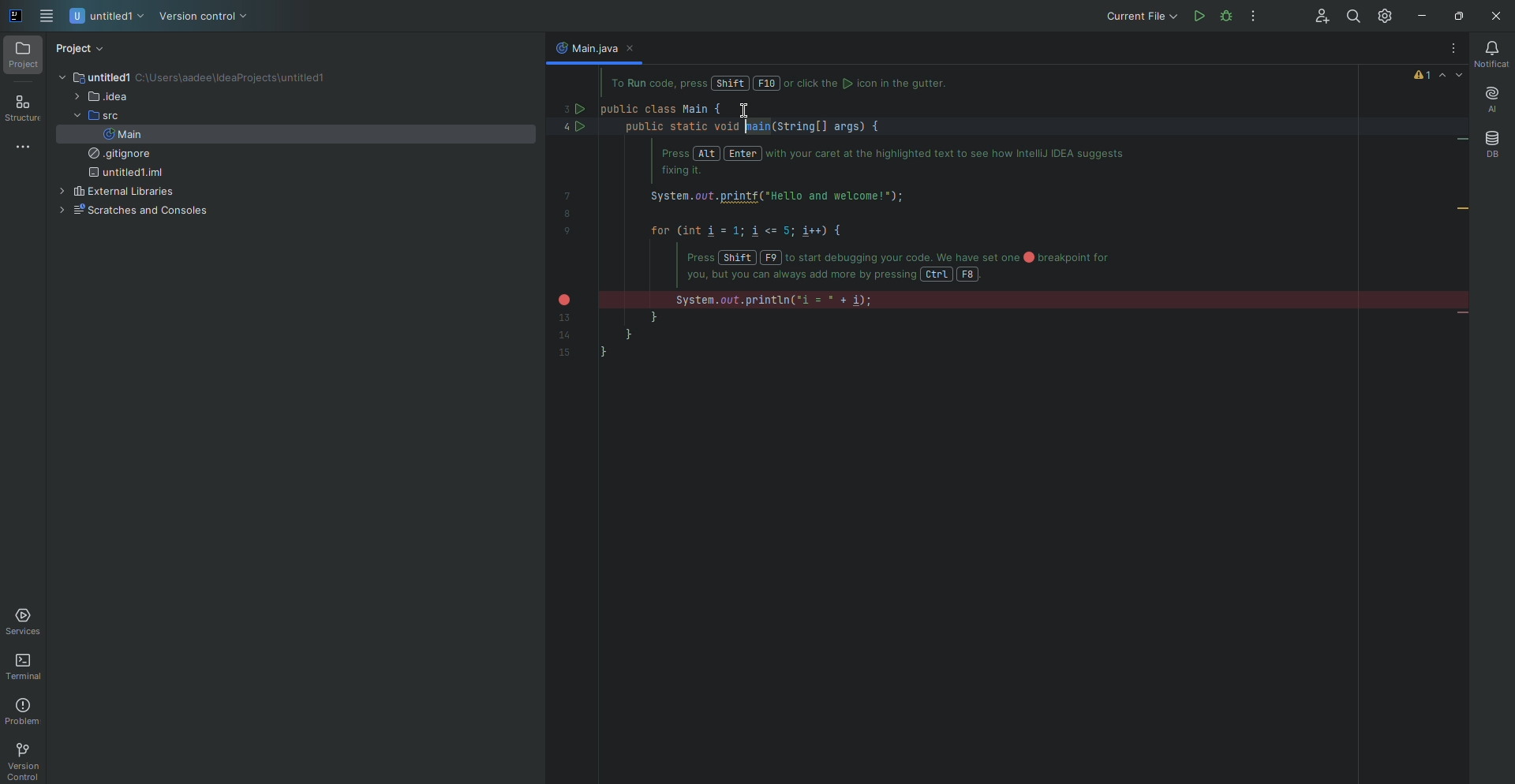 Image resolution: width=1515 pixels, height=784 pixels. I want to click on Untitled 1, so click(93, 77).